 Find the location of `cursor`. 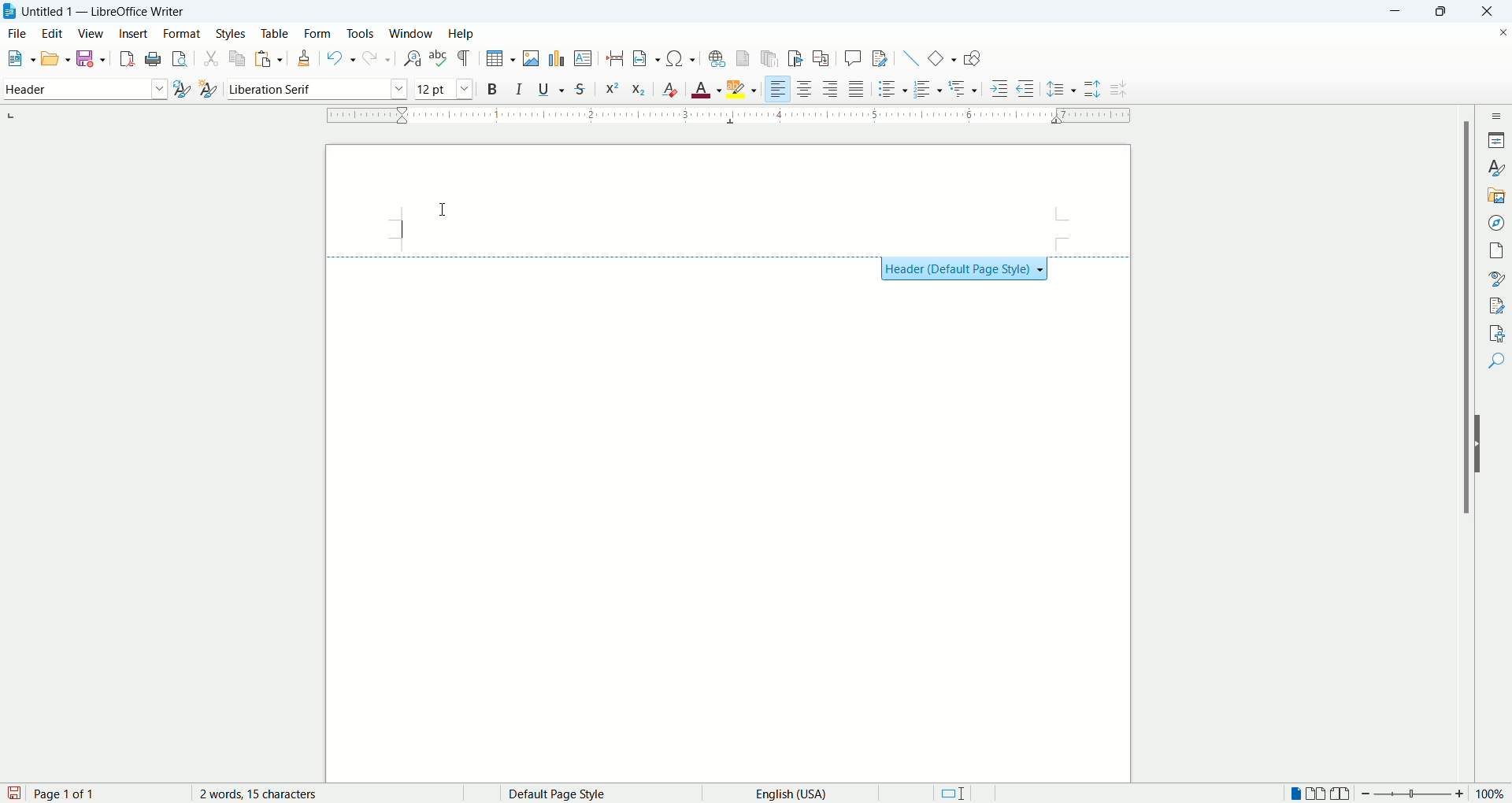

cursor is located at coordinates (412, 227).